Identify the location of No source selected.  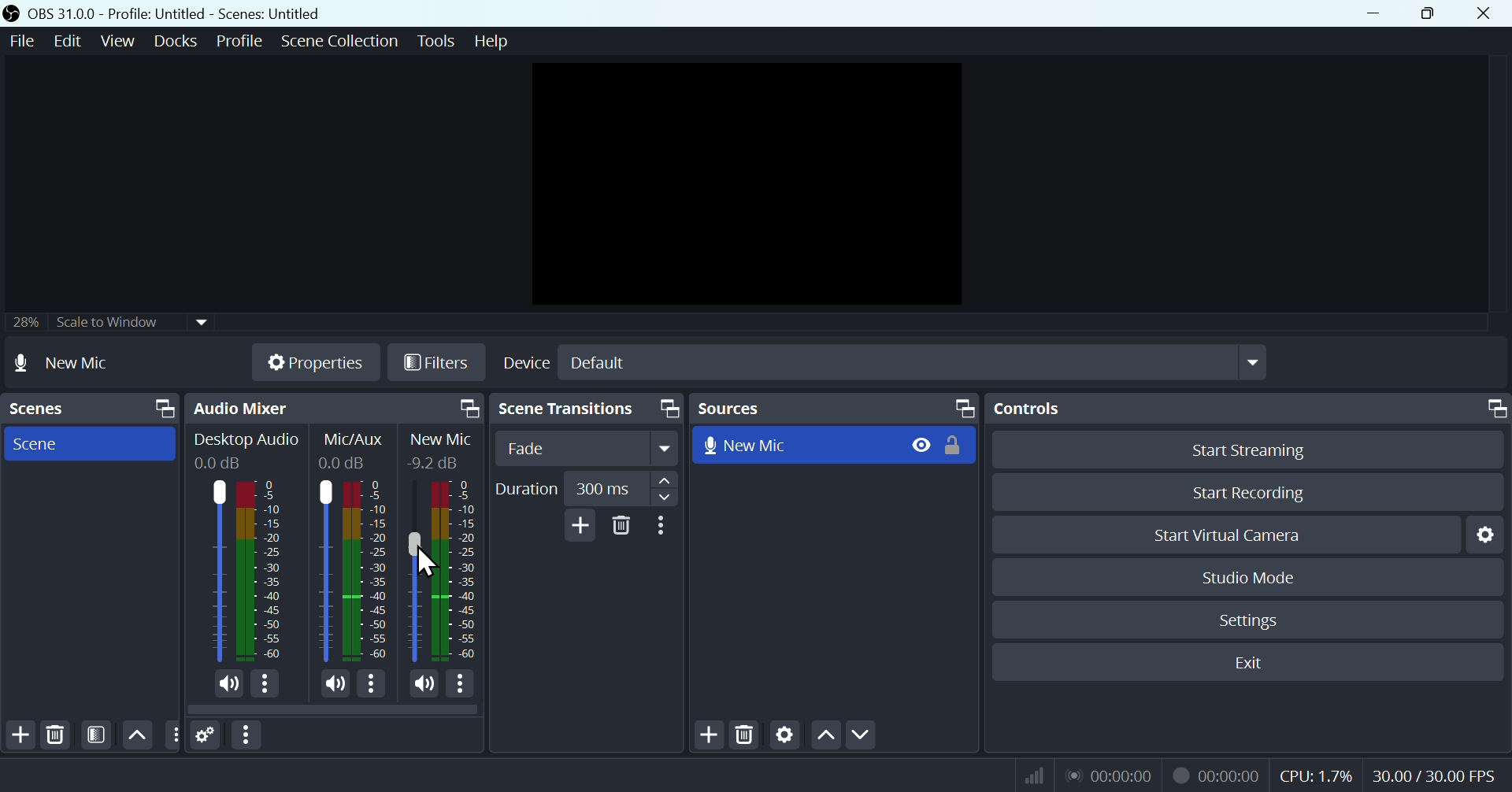
(80, 362).